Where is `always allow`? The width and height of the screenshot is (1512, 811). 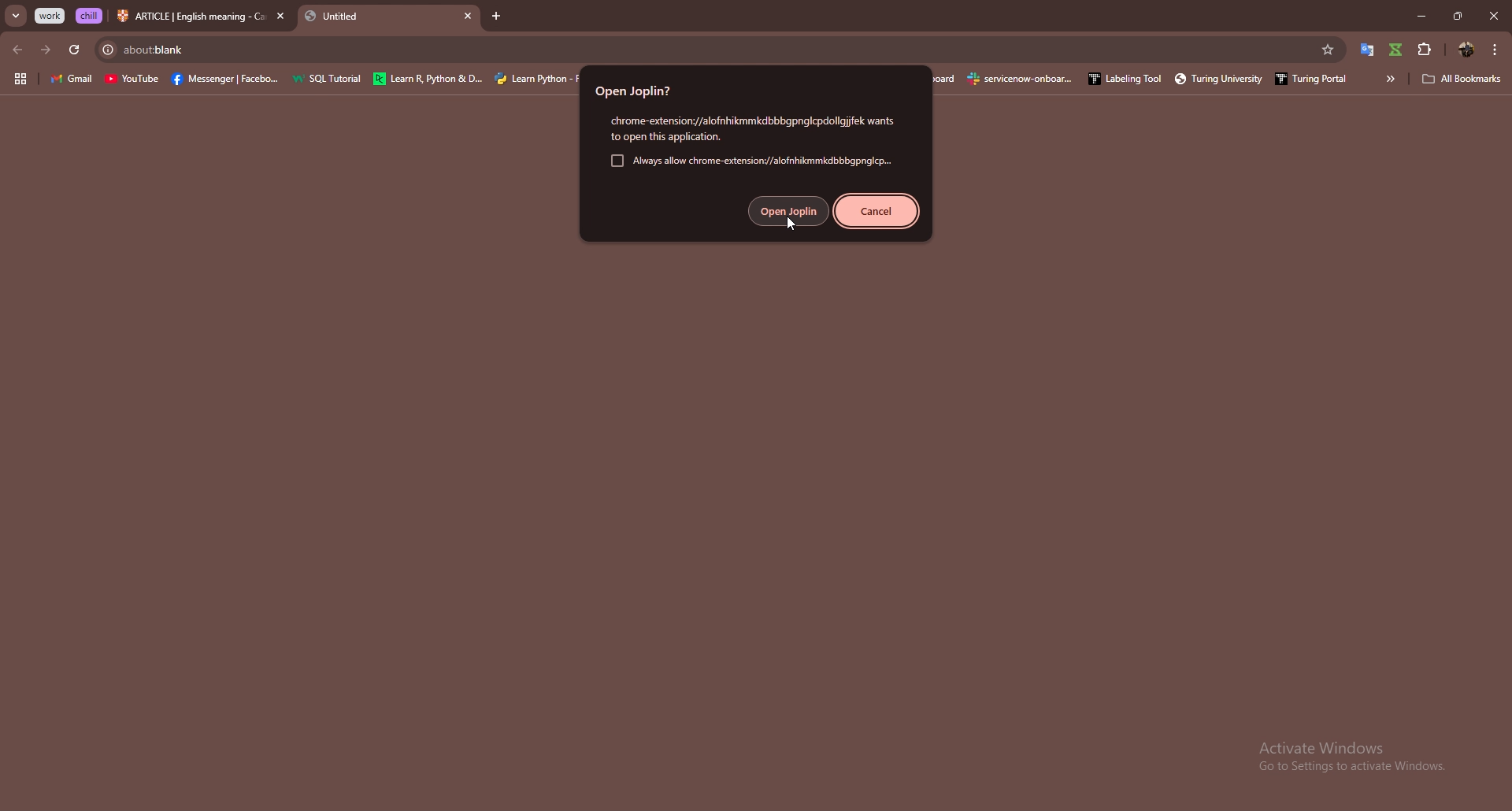
always allow is located at coordinates (749, 161).